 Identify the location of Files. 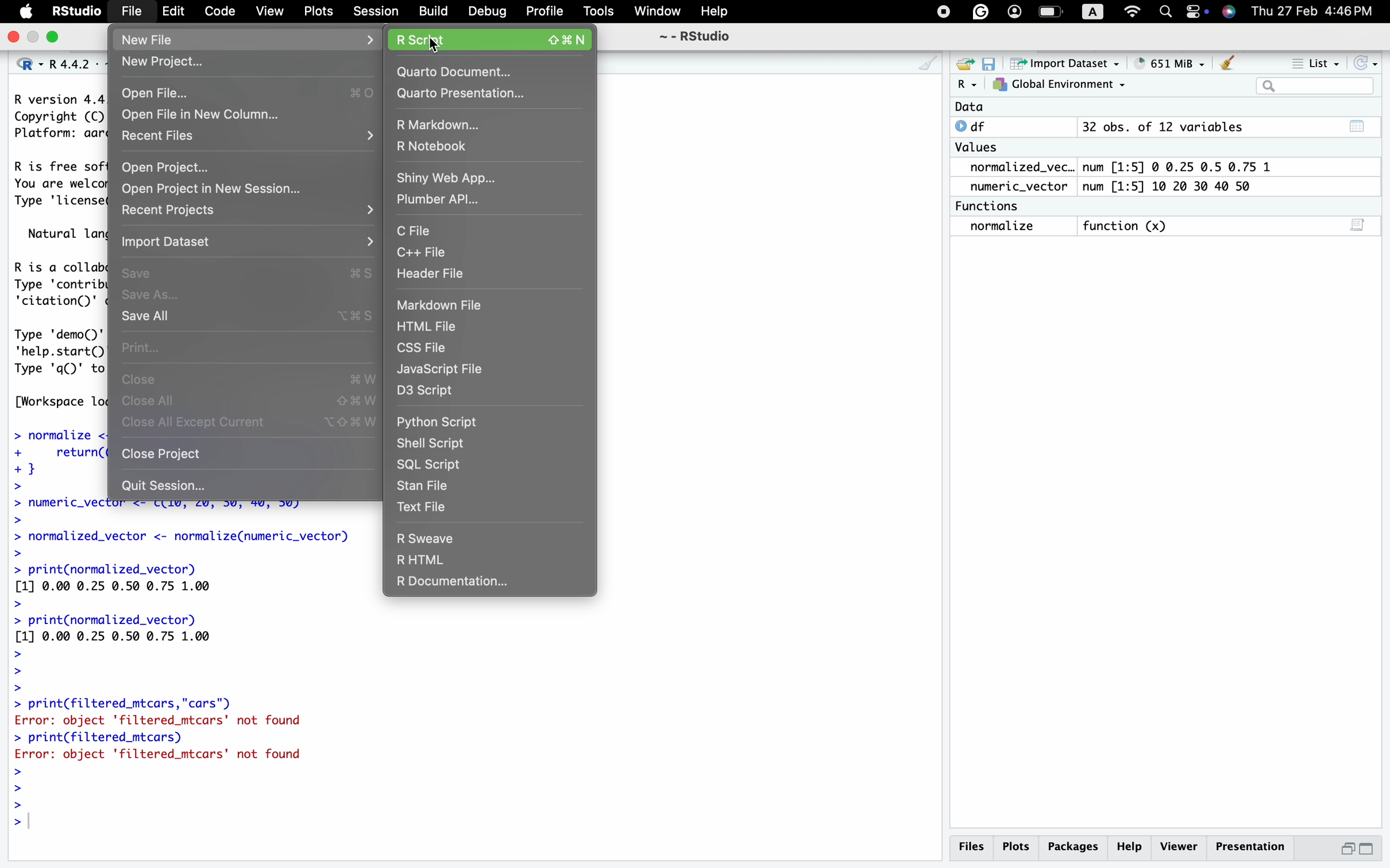
(971, 846).